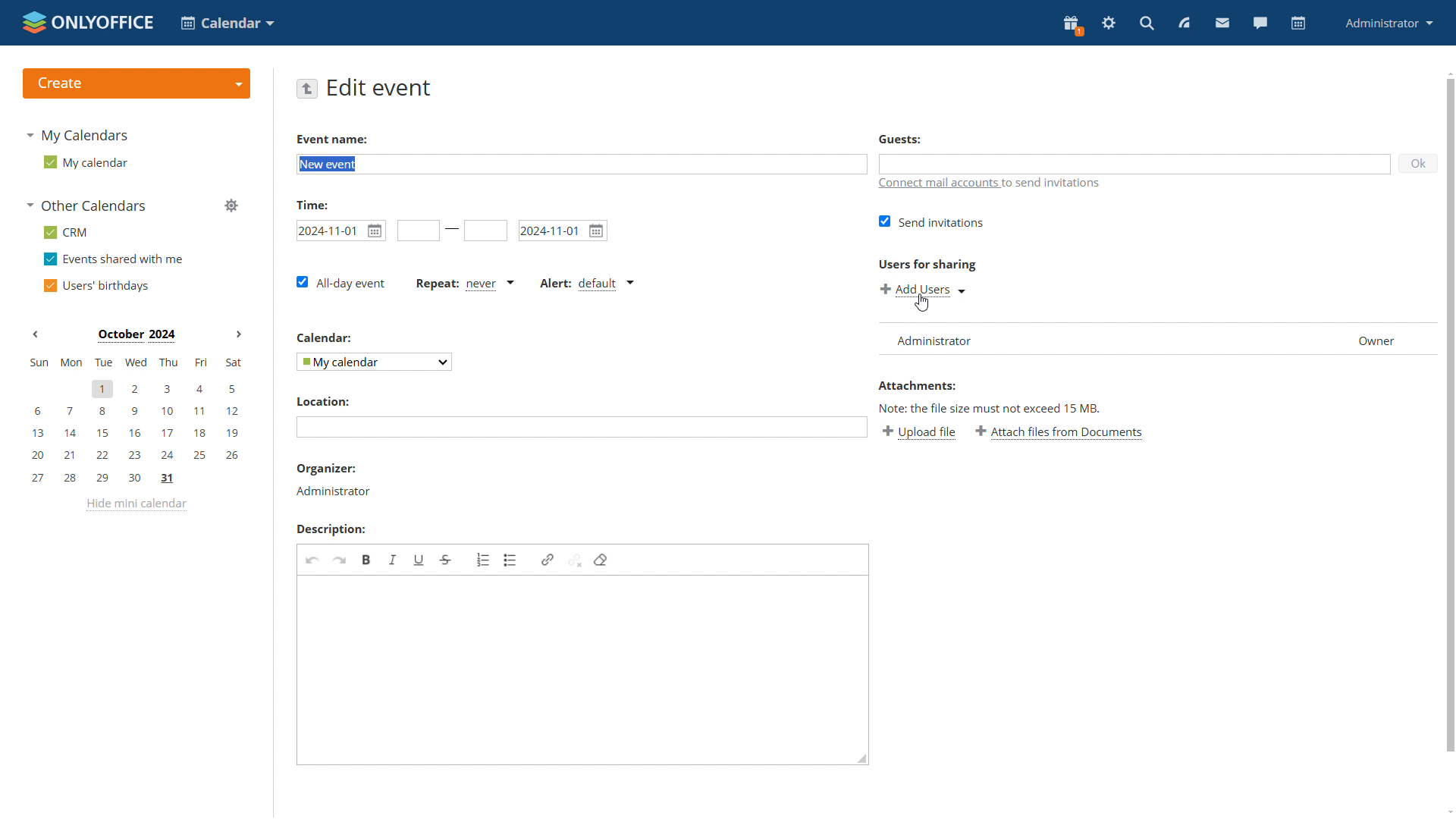  I want to click on italic, so click(392, 559).